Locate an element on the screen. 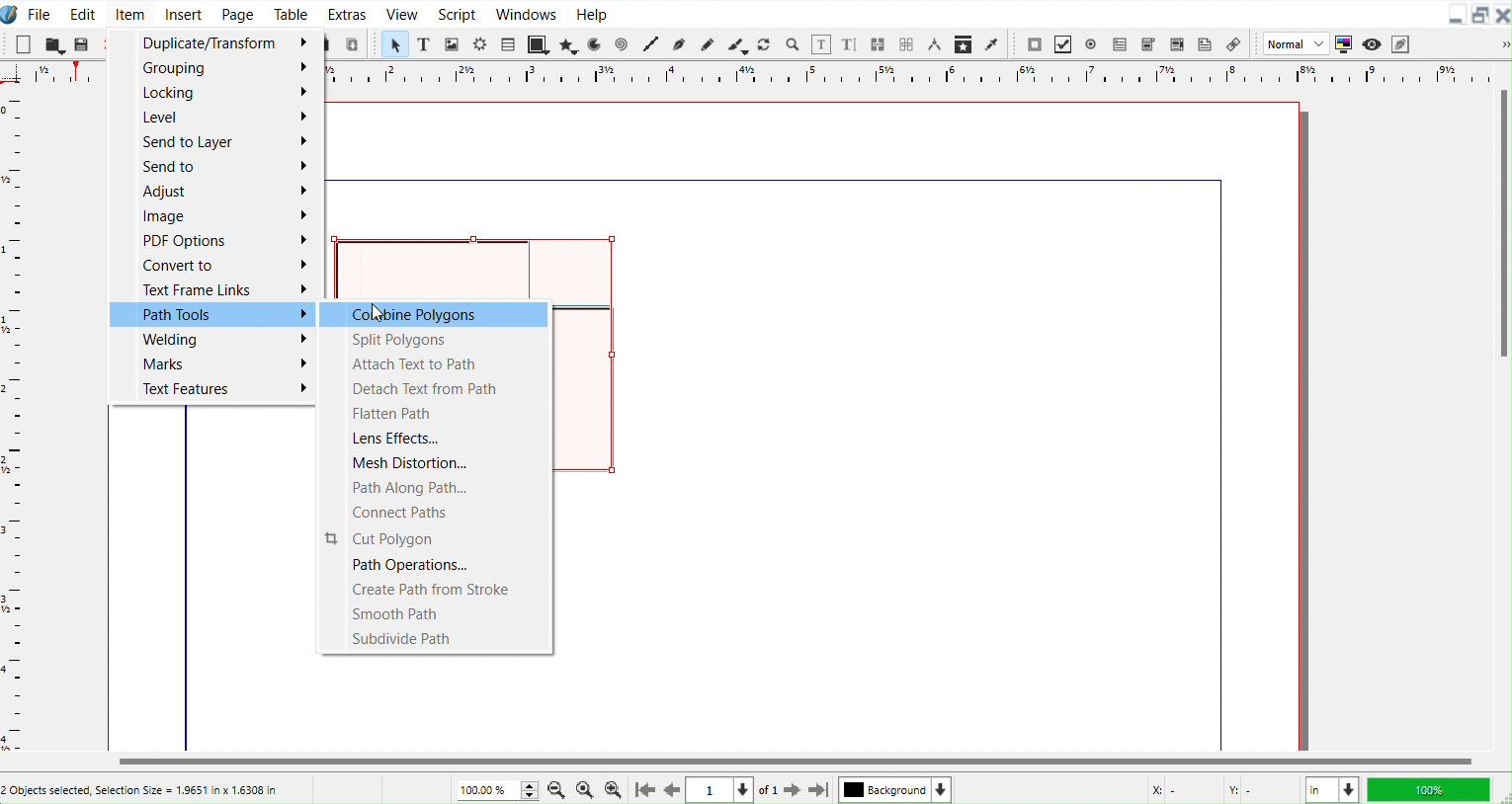 The height and width of the screenshot is (804, 1512). Shapes is located at coordinates (481, 264).